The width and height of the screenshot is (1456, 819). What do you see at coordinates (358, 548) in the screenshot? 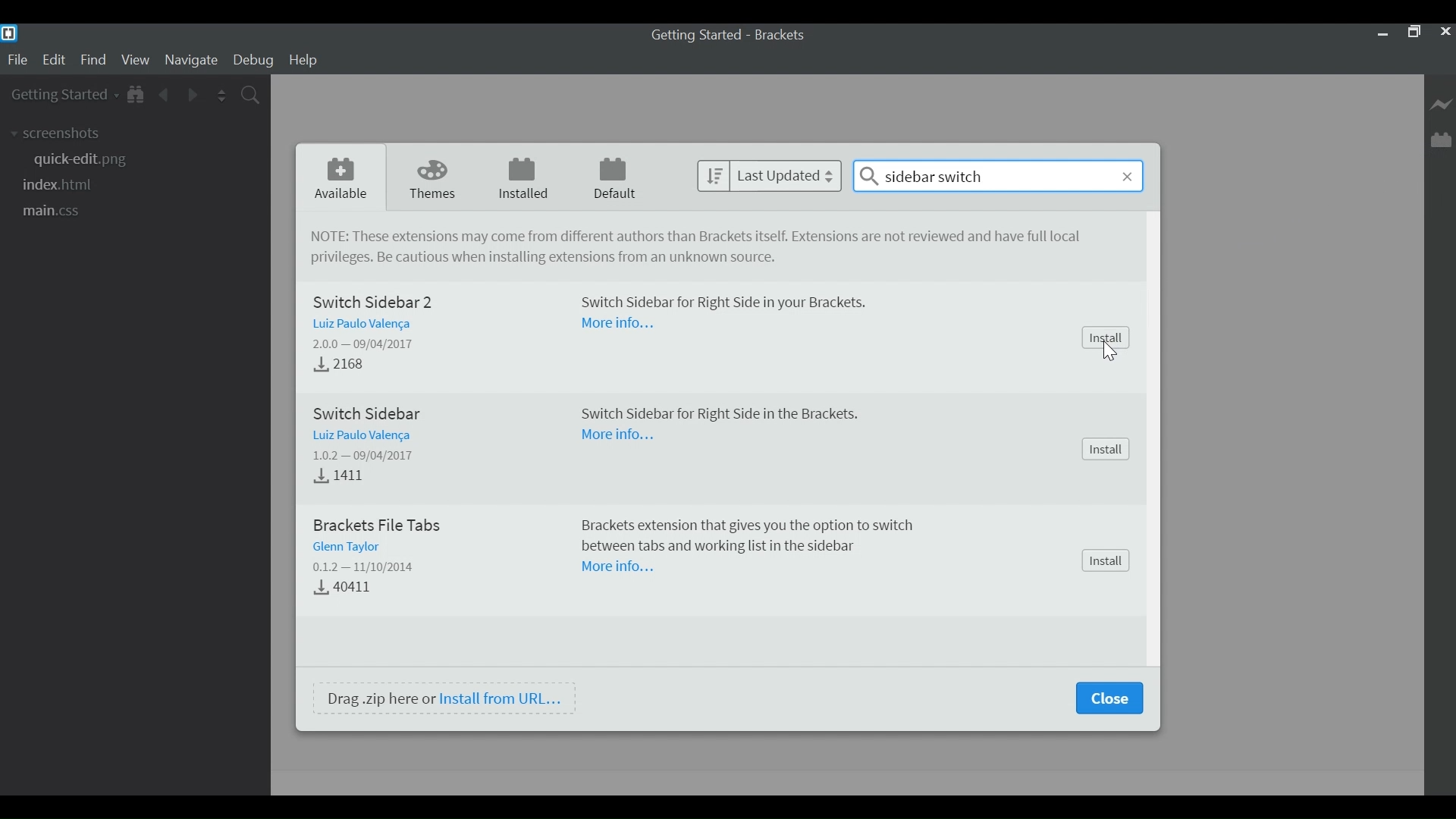
I see `Author` at bounding box center [358, 548].